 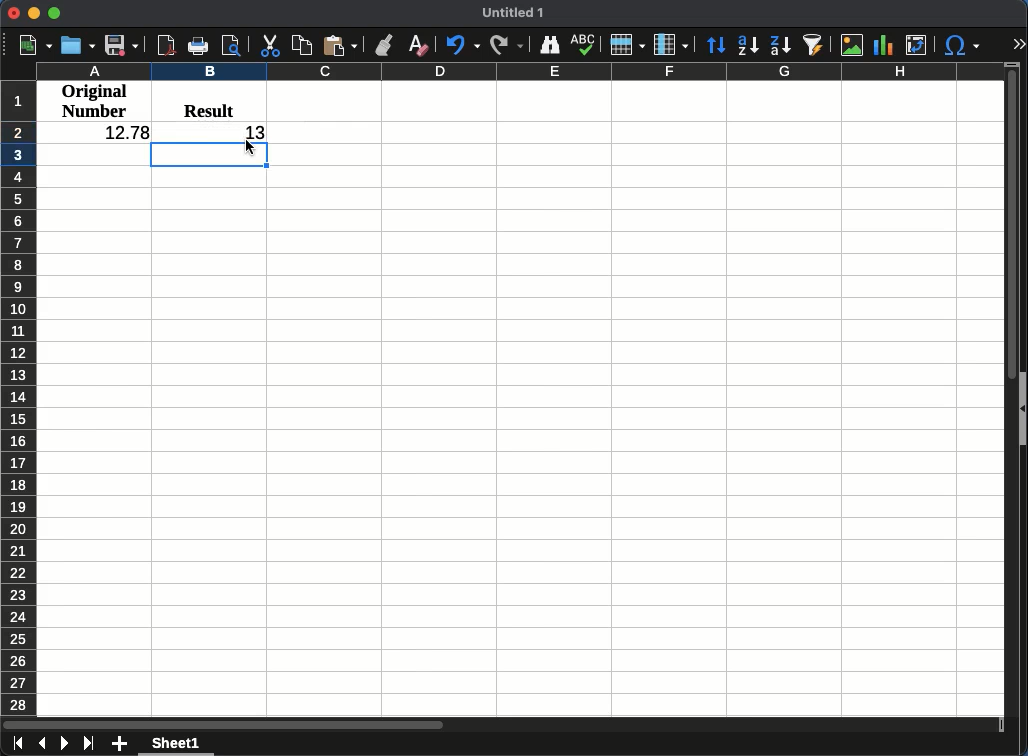 What do you see at coordinates (80, 45) in the screenshot?
I see `open` at bounding box center [80, 45].